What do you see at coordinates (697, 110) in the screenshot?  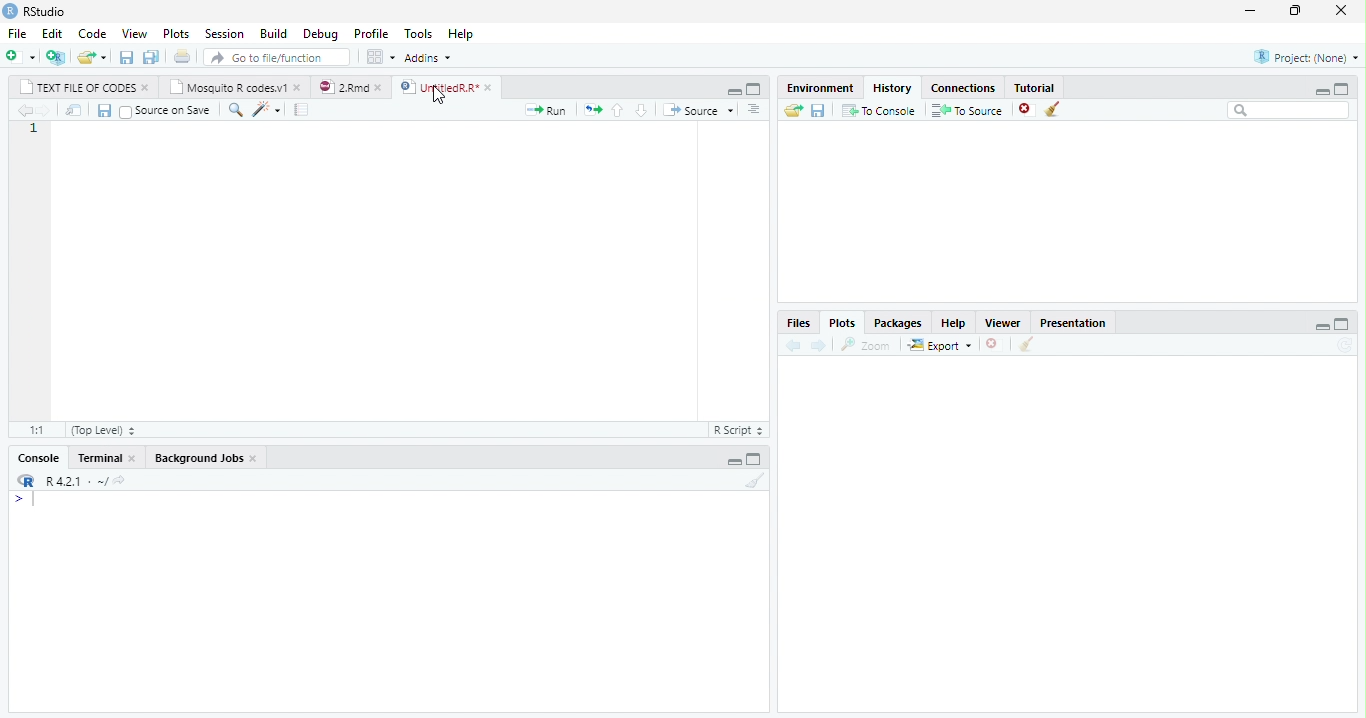 I see `source` at bounding box center [697, 110].